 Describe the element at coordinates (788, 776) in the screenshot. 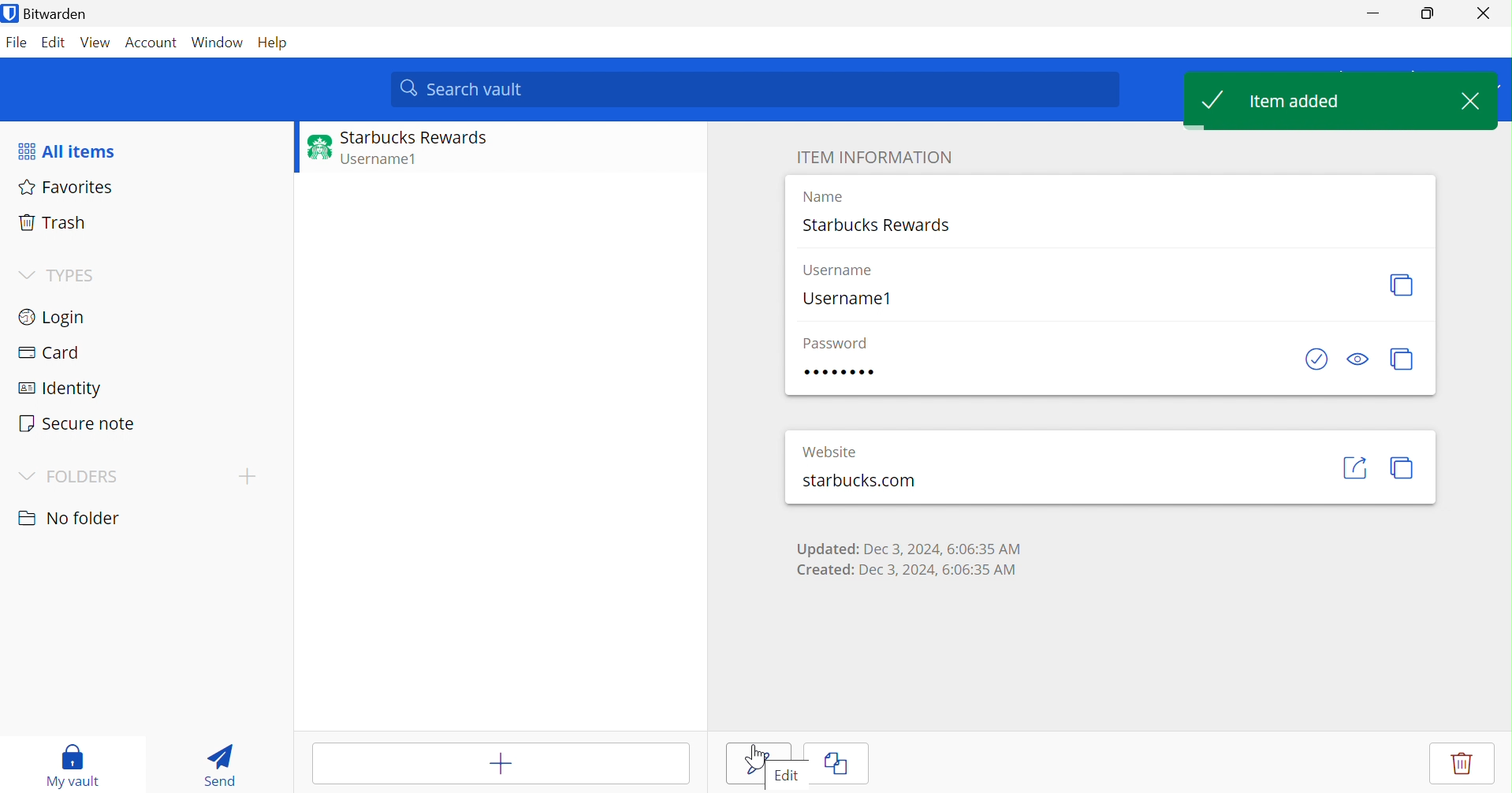

I see `Edit` at that location.